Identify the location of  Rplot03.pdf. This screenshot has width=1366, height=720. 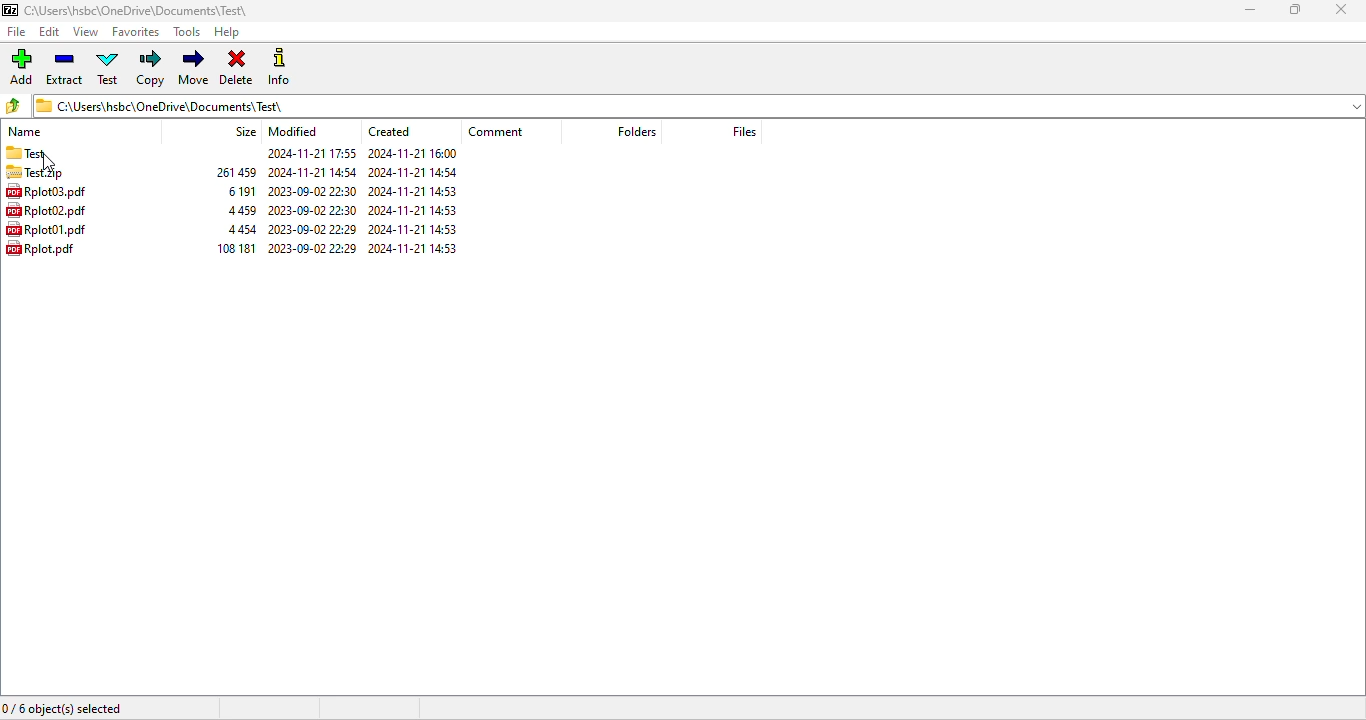
(49, 191).